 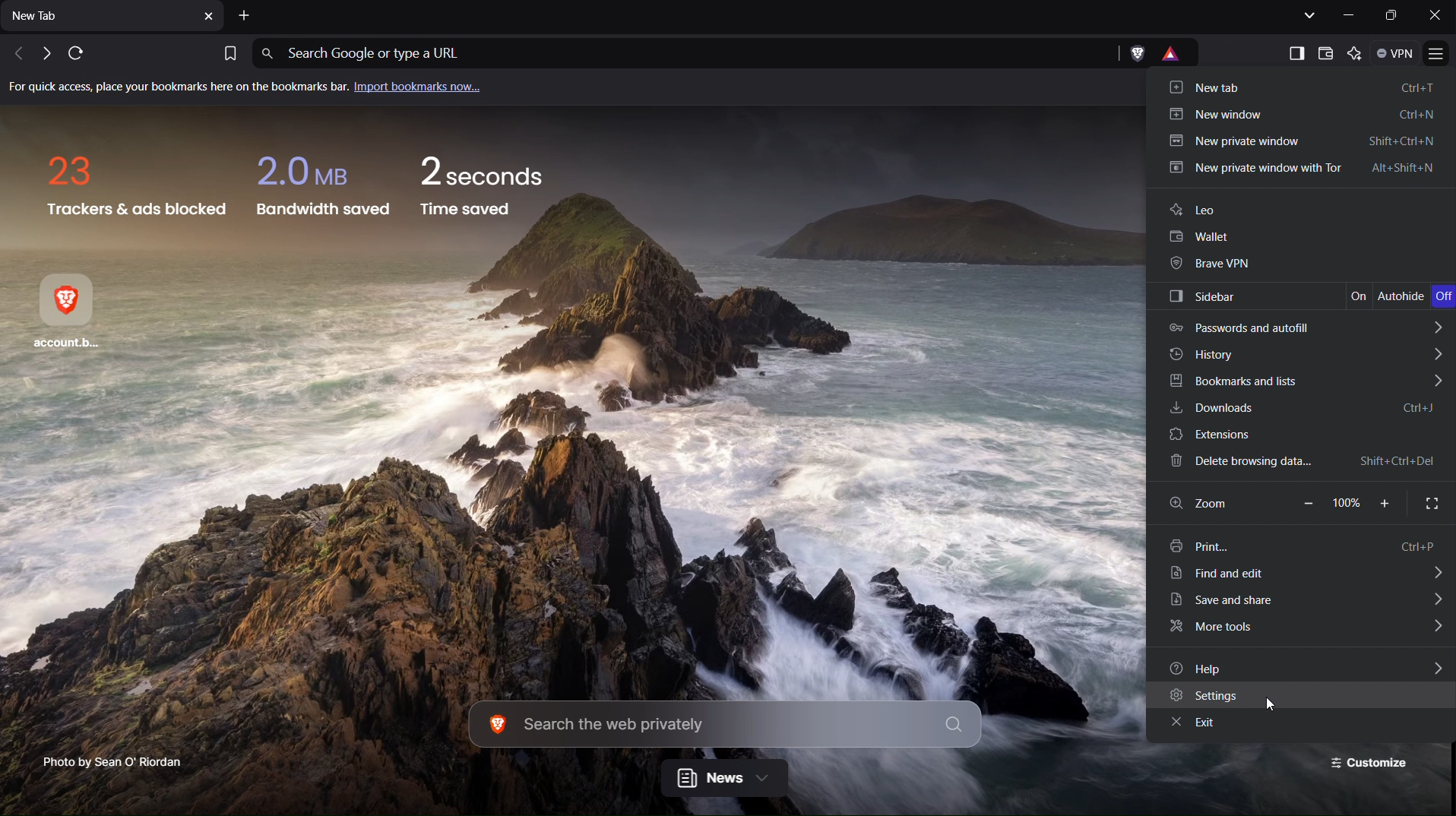 What do you see at coordinates (1443, 297) in the screenshot?
I see `Off` at bounding box center [1443, 297].